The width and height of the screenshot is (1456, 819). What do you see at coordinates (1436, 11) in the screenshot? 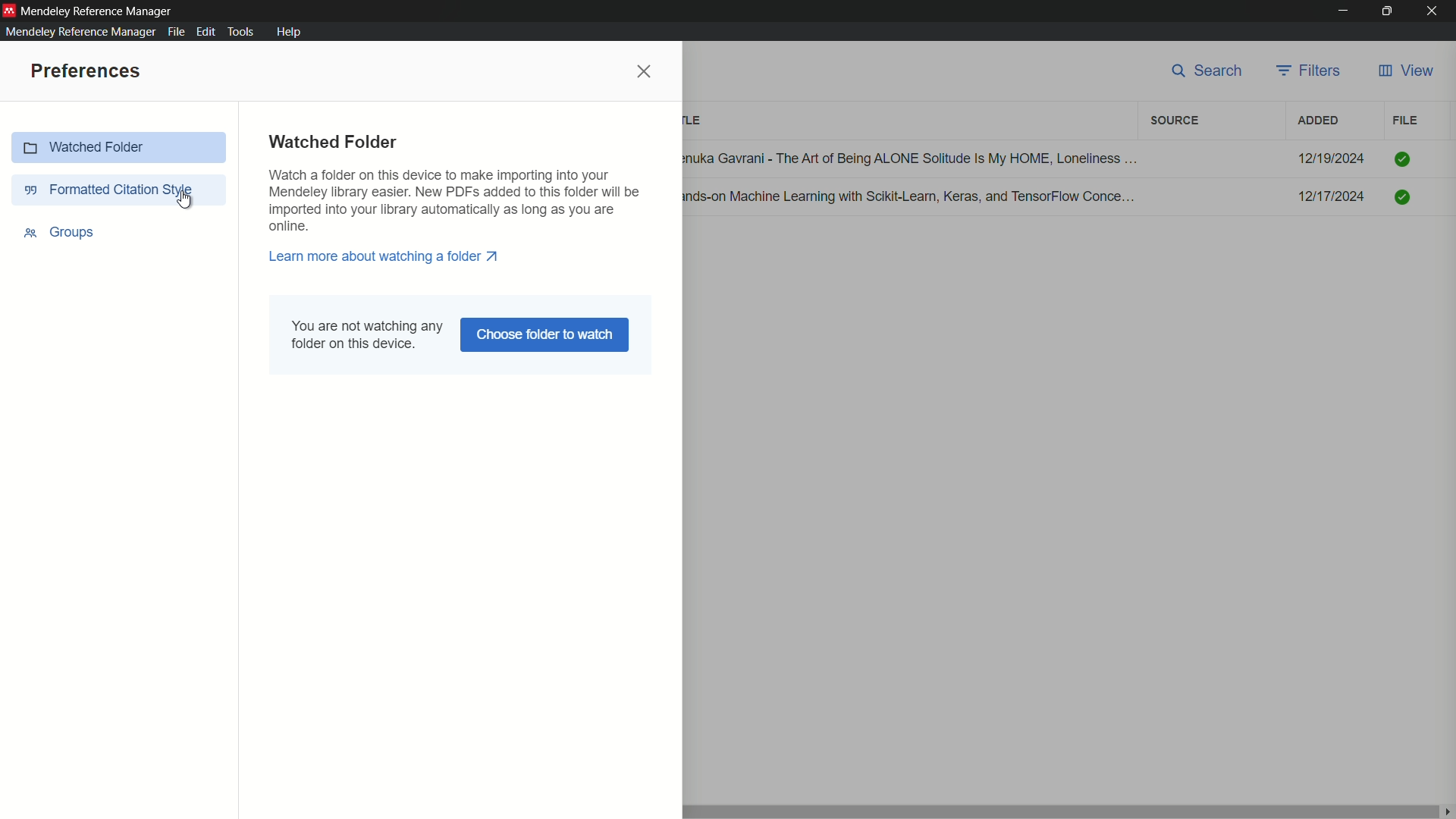
I see `close app` at bounding box center [1436, 11].